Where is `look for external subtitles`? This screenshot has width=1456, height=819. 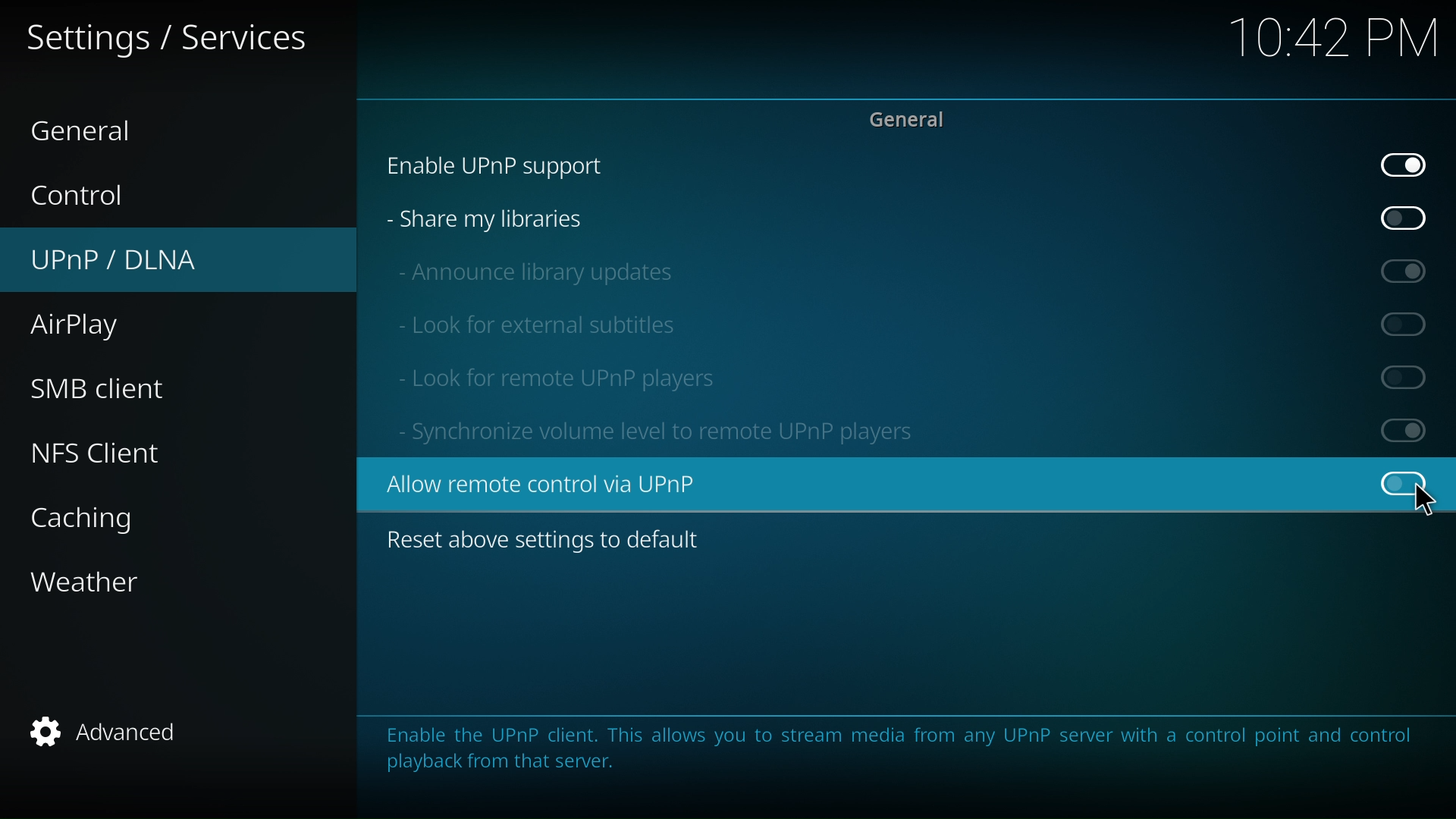
look for external subtitles is located at coordinates (912, 326).